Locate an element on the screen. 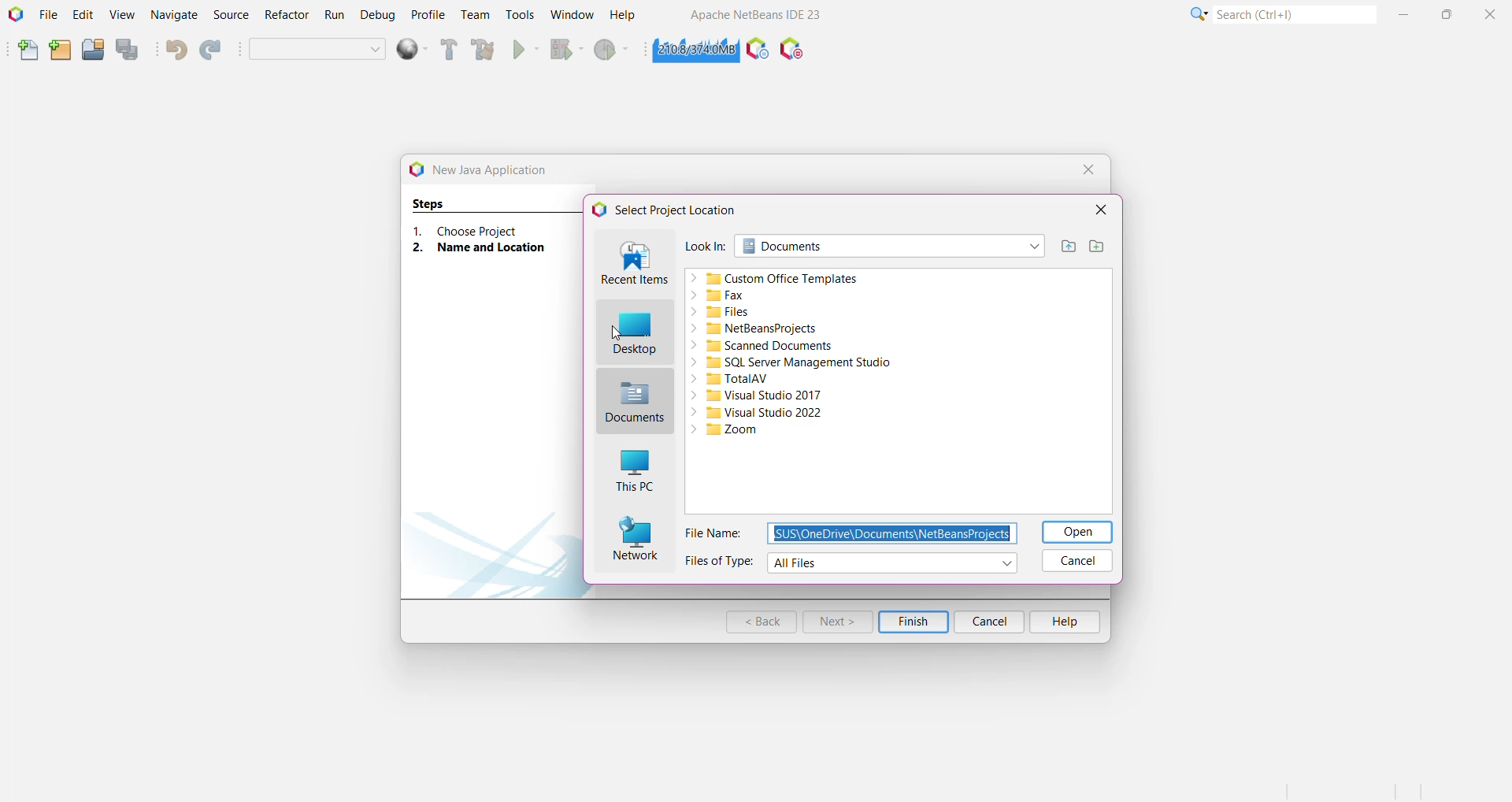 This screenshot has width=1512, height=802. Help is located at coordinates (1065, 621).